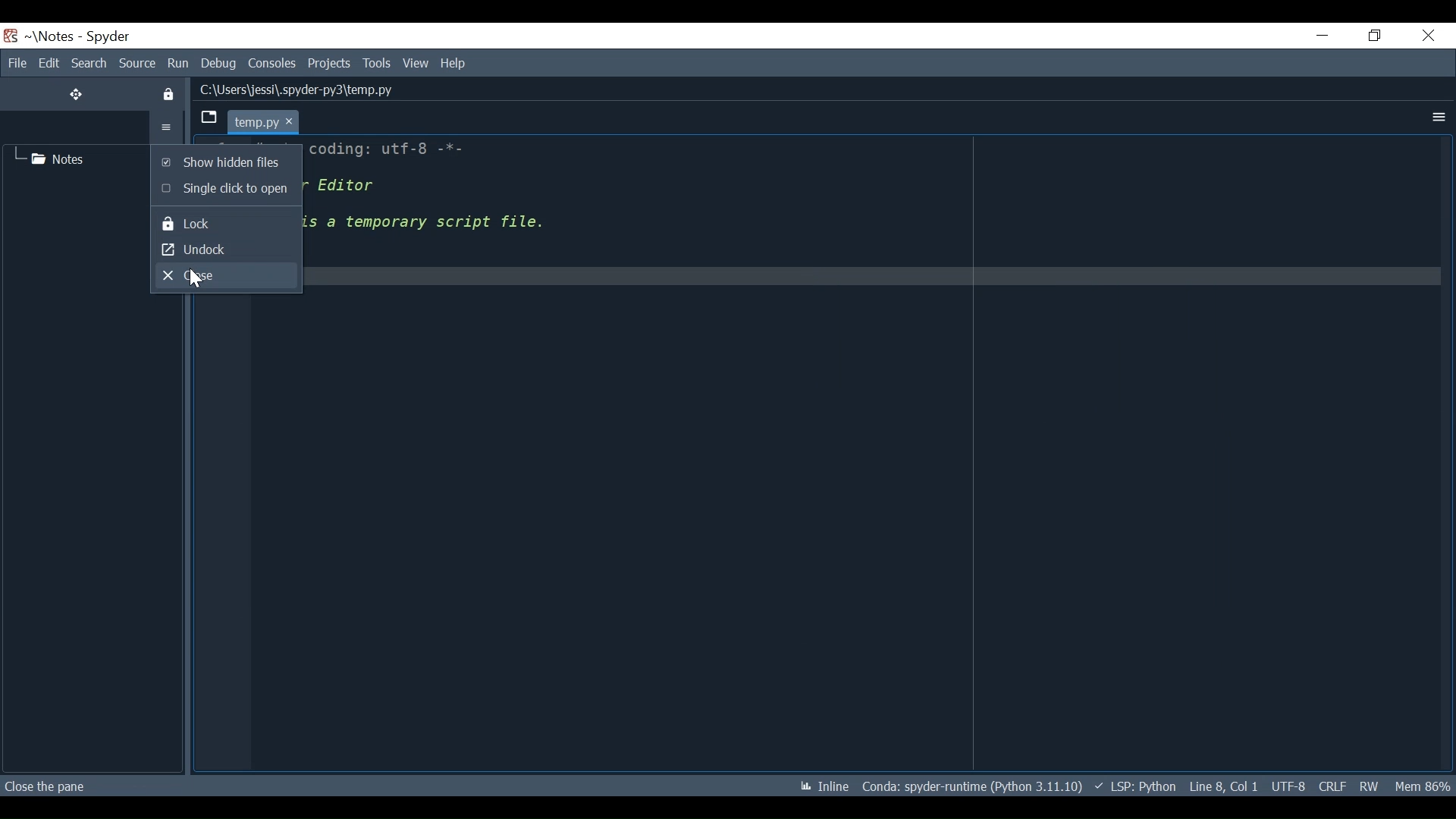 This screenshot has height=819, width=1456. Describe the element at coordinates (1330, 786) in the screenshot. I see `CRLF` at that location.